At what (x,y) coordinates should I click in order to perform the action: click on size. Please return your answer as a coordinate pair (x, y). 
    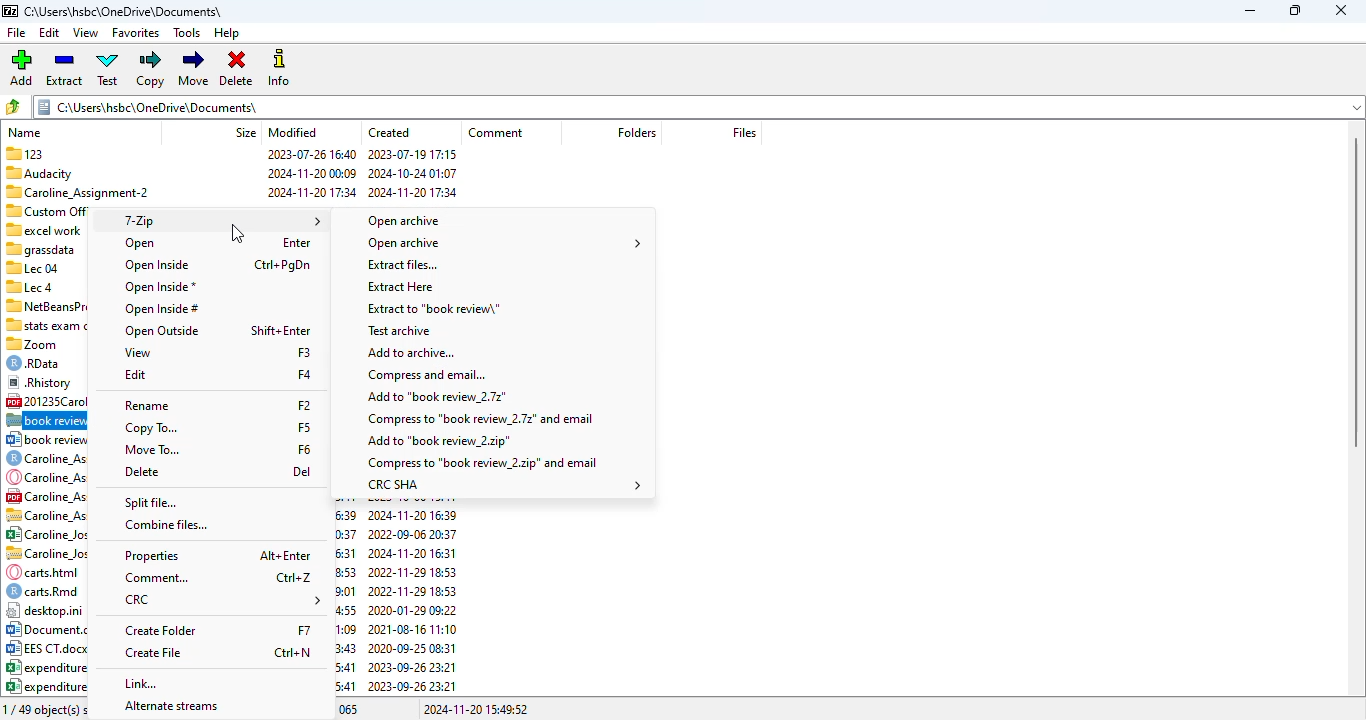
    Looking at the image, I should click on (245, 131).